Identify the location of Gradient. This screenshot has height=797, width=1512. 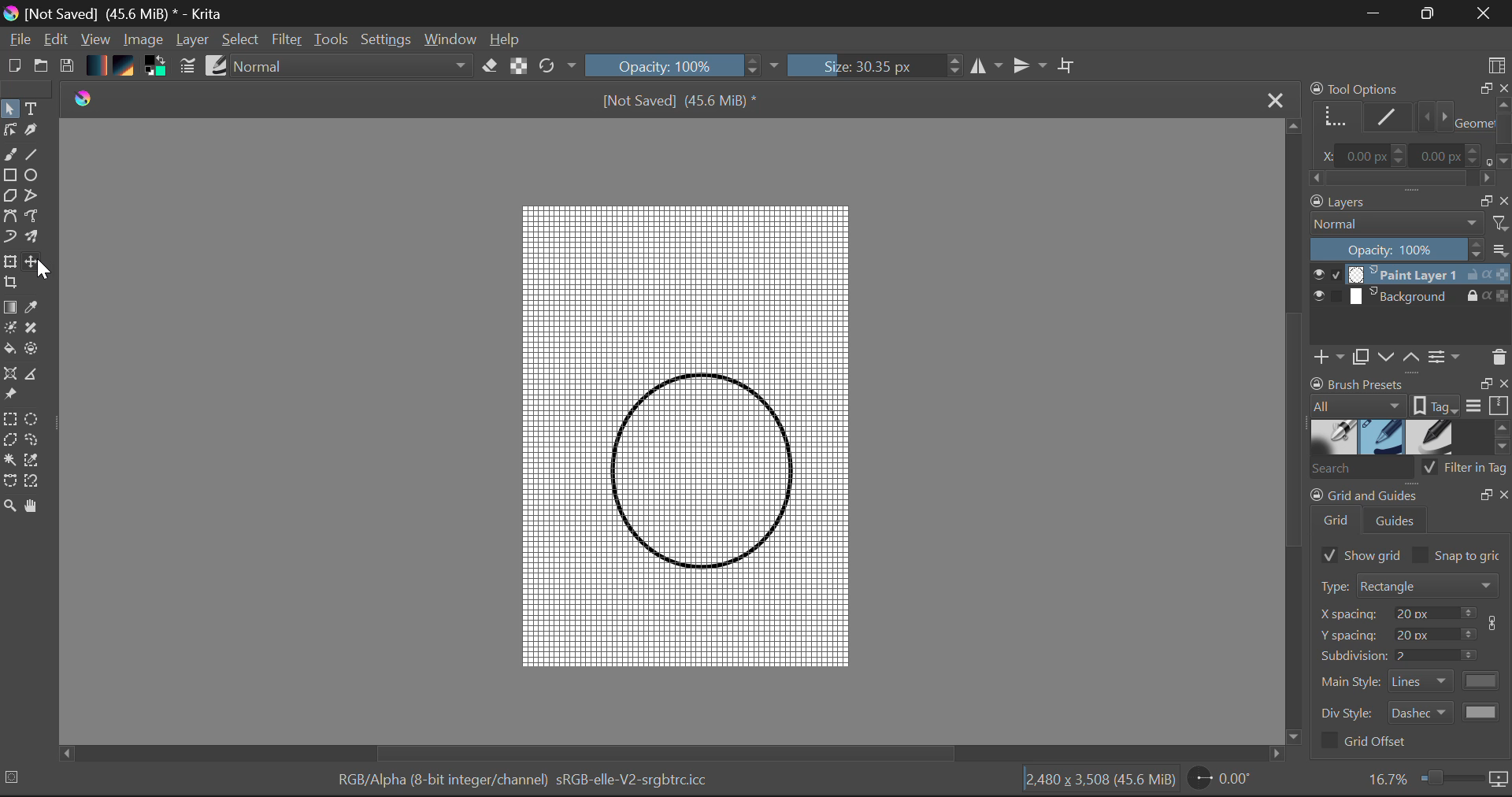
(98, 65).